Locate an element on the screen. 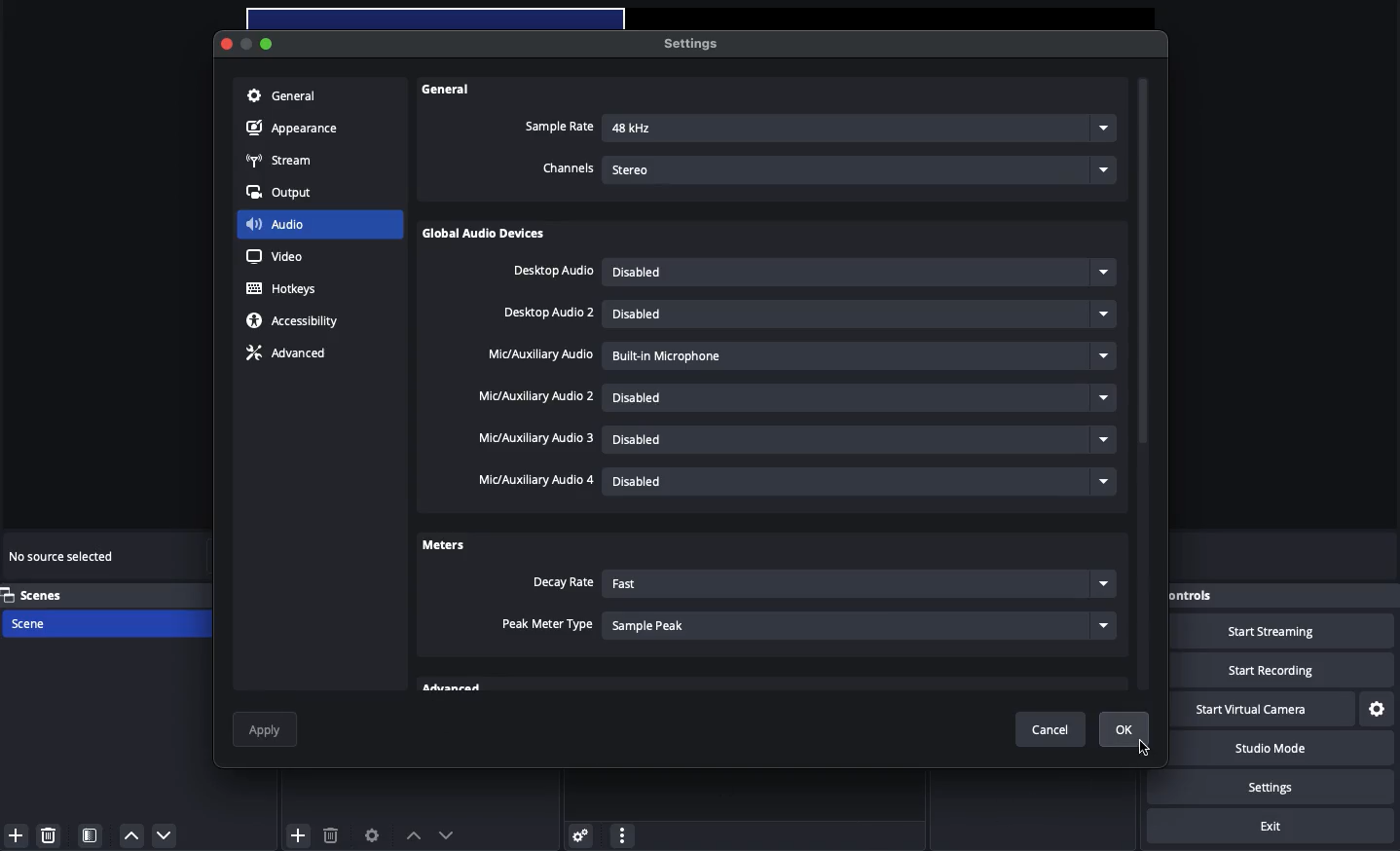  Desktop audio 2 is located at coordinates (550, 314).